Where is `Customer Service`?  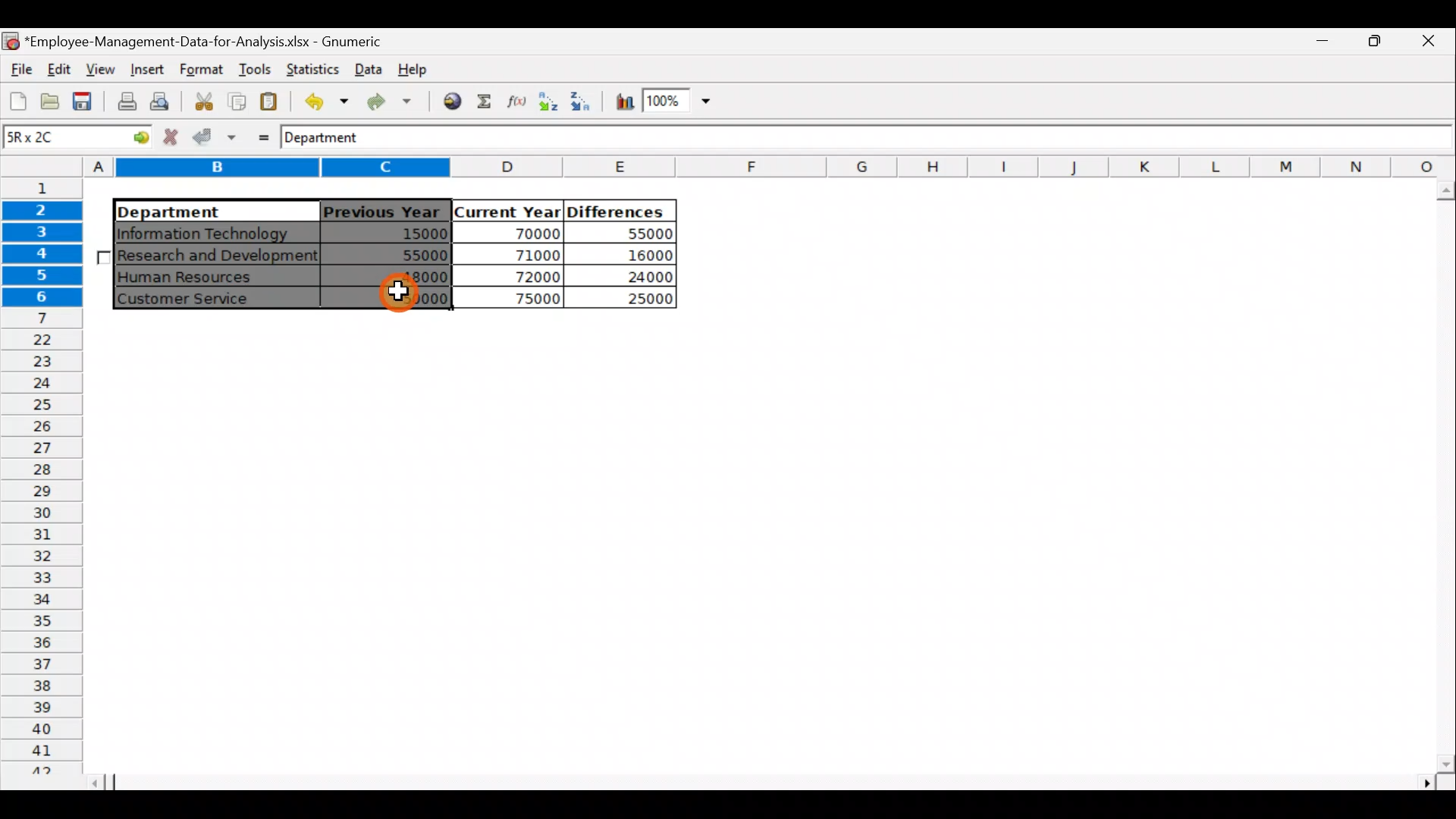
Customer Service is located at coordinates (201, 299).